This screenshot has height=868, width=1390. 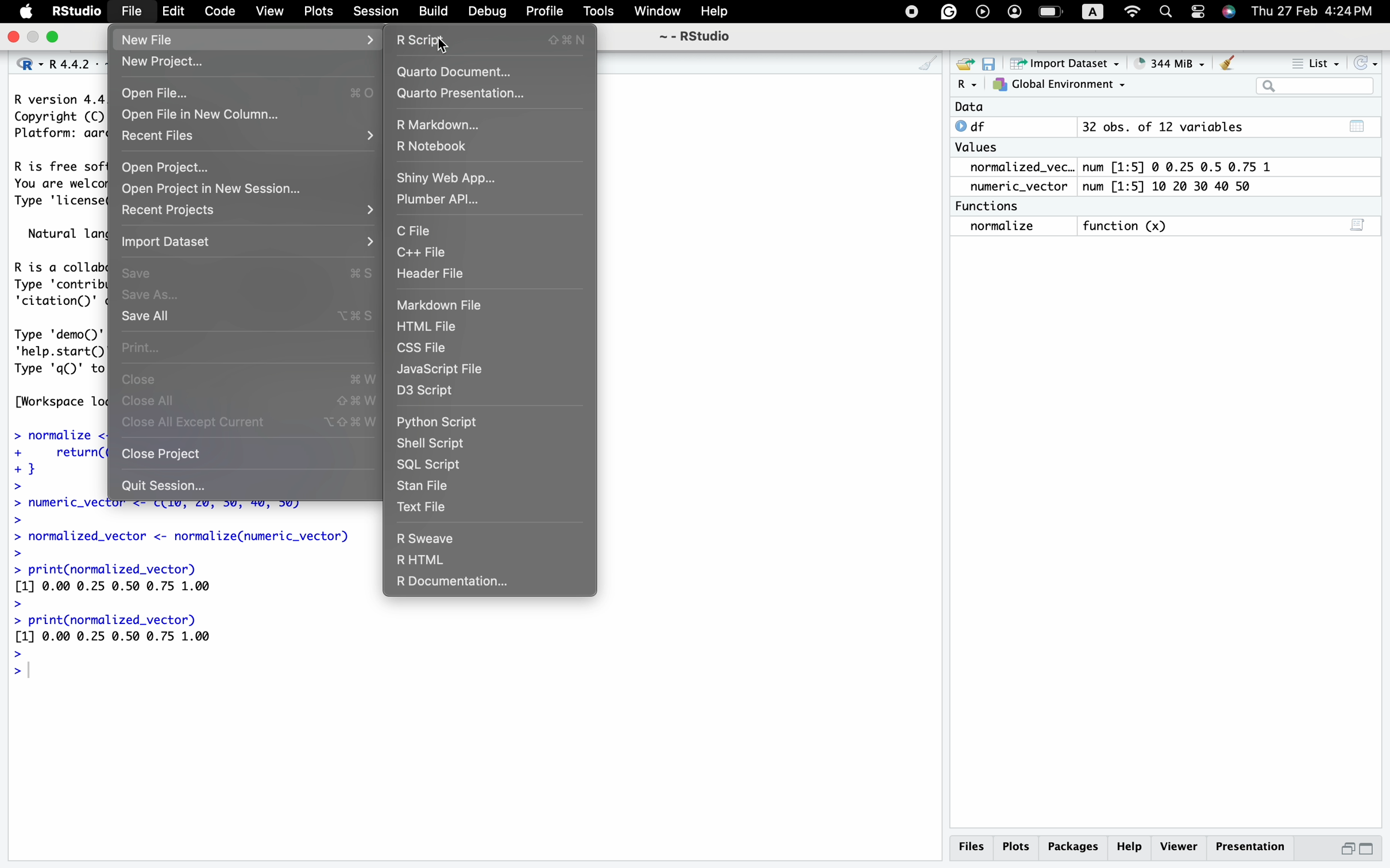 What do you see at coordinates (967, 65) in the screenshot?
I see `open file` at bounding box center [967, 65].